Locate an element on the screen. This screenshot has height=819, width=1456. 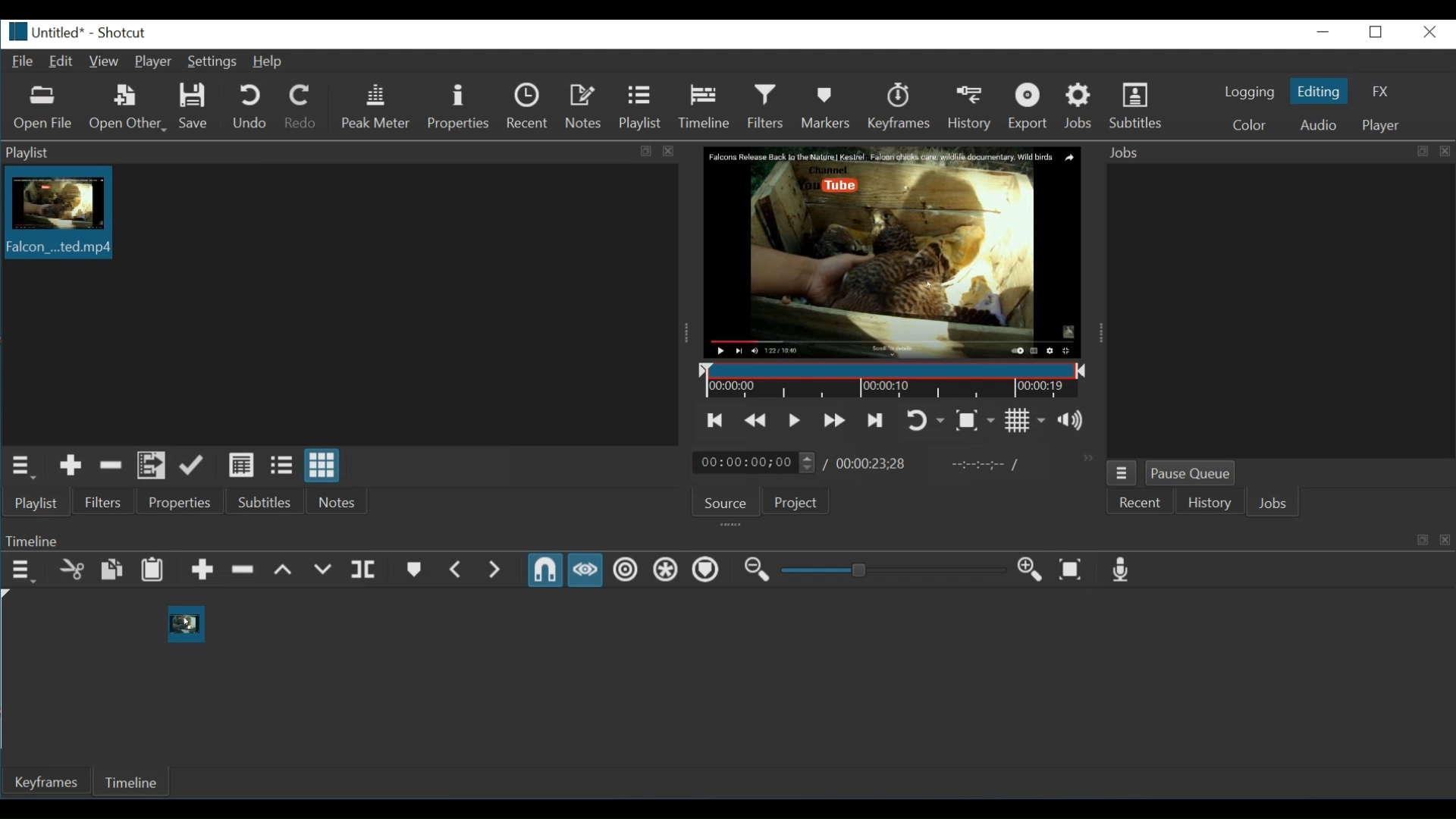
Color is located at coordinates (1250, 124).